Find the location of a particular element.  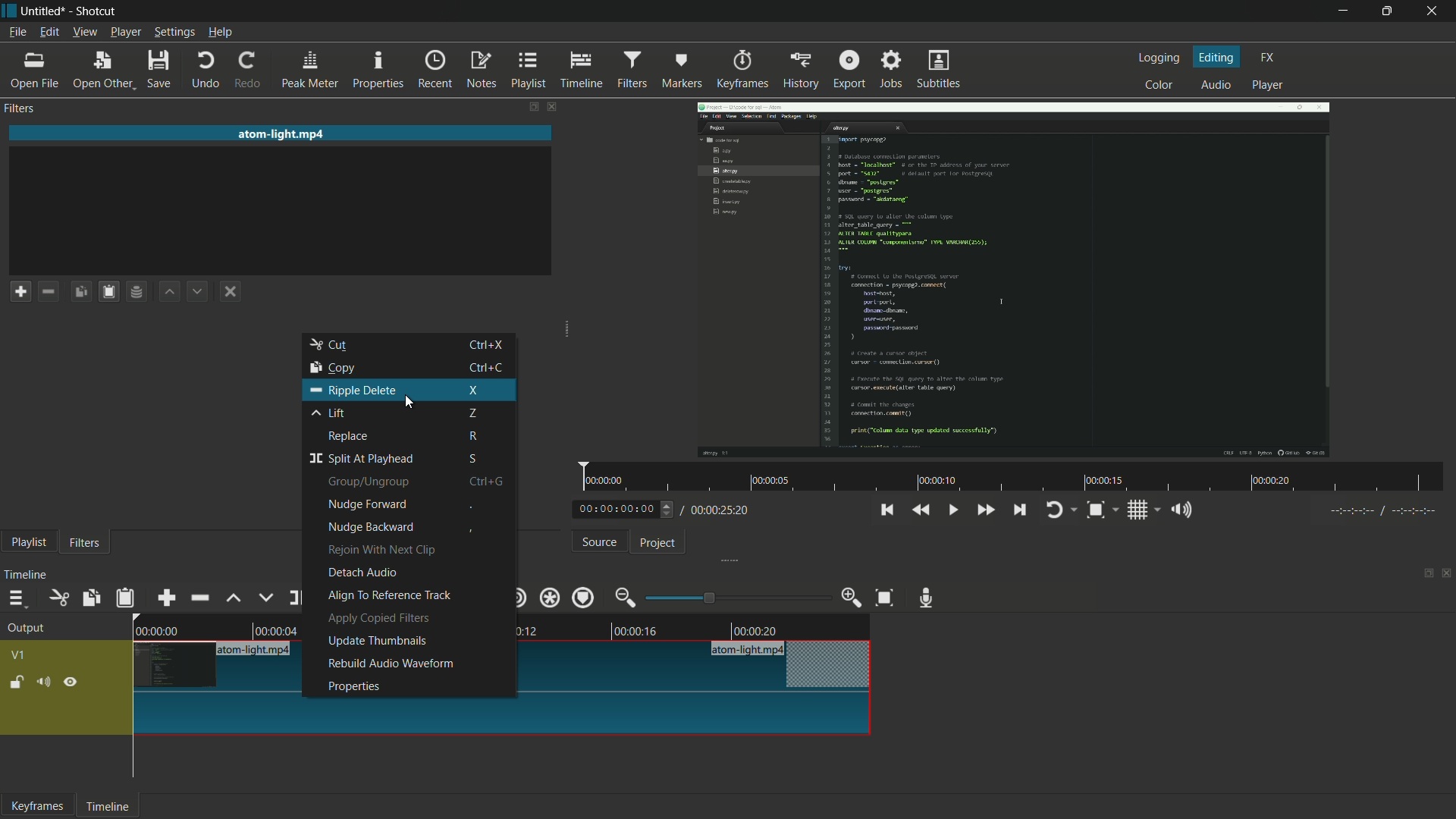

player menu is located at coordinates (125, 32).